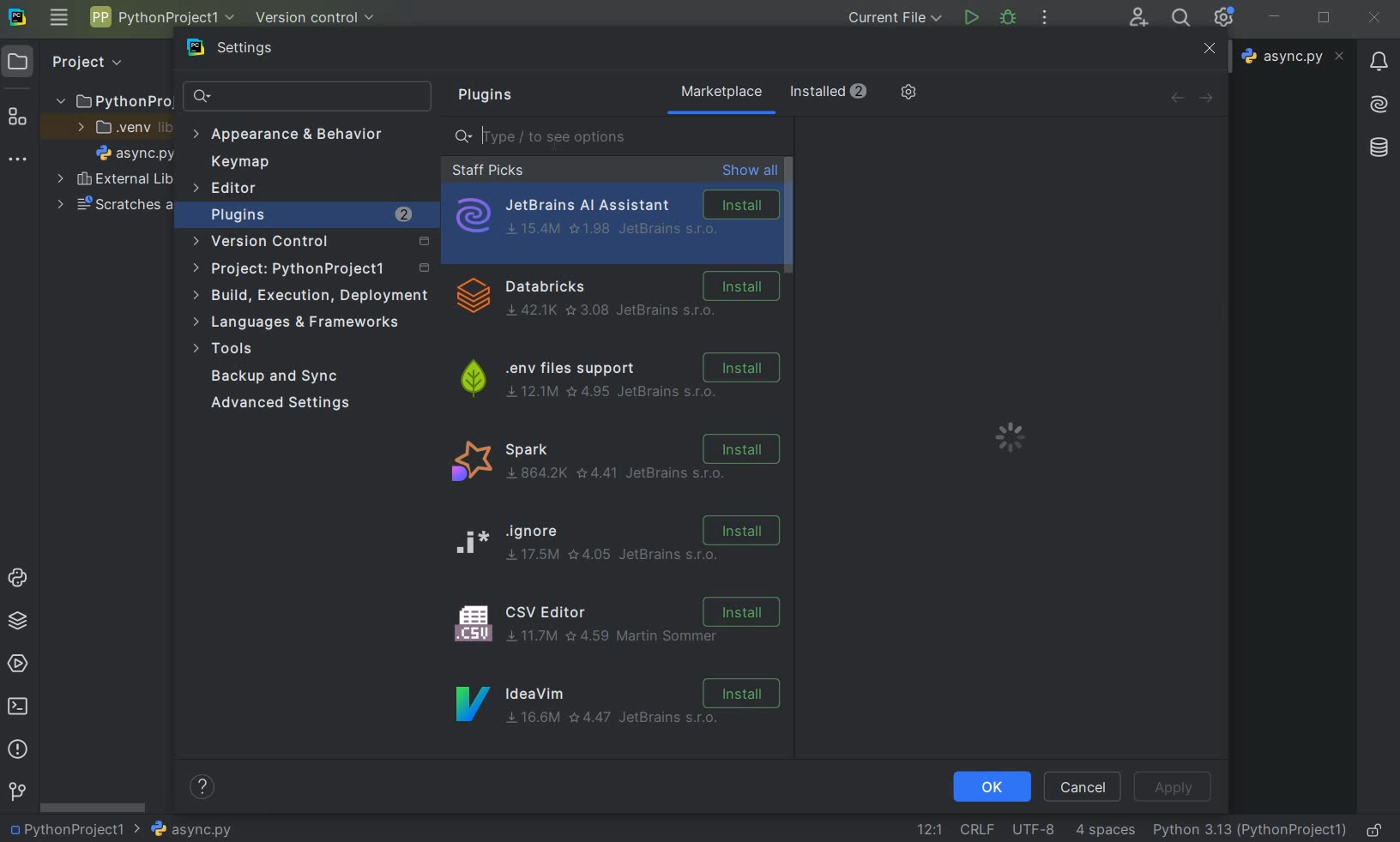  Describe the element at coordinates (136, 153) in the screenshot. I see `file name` at that location.